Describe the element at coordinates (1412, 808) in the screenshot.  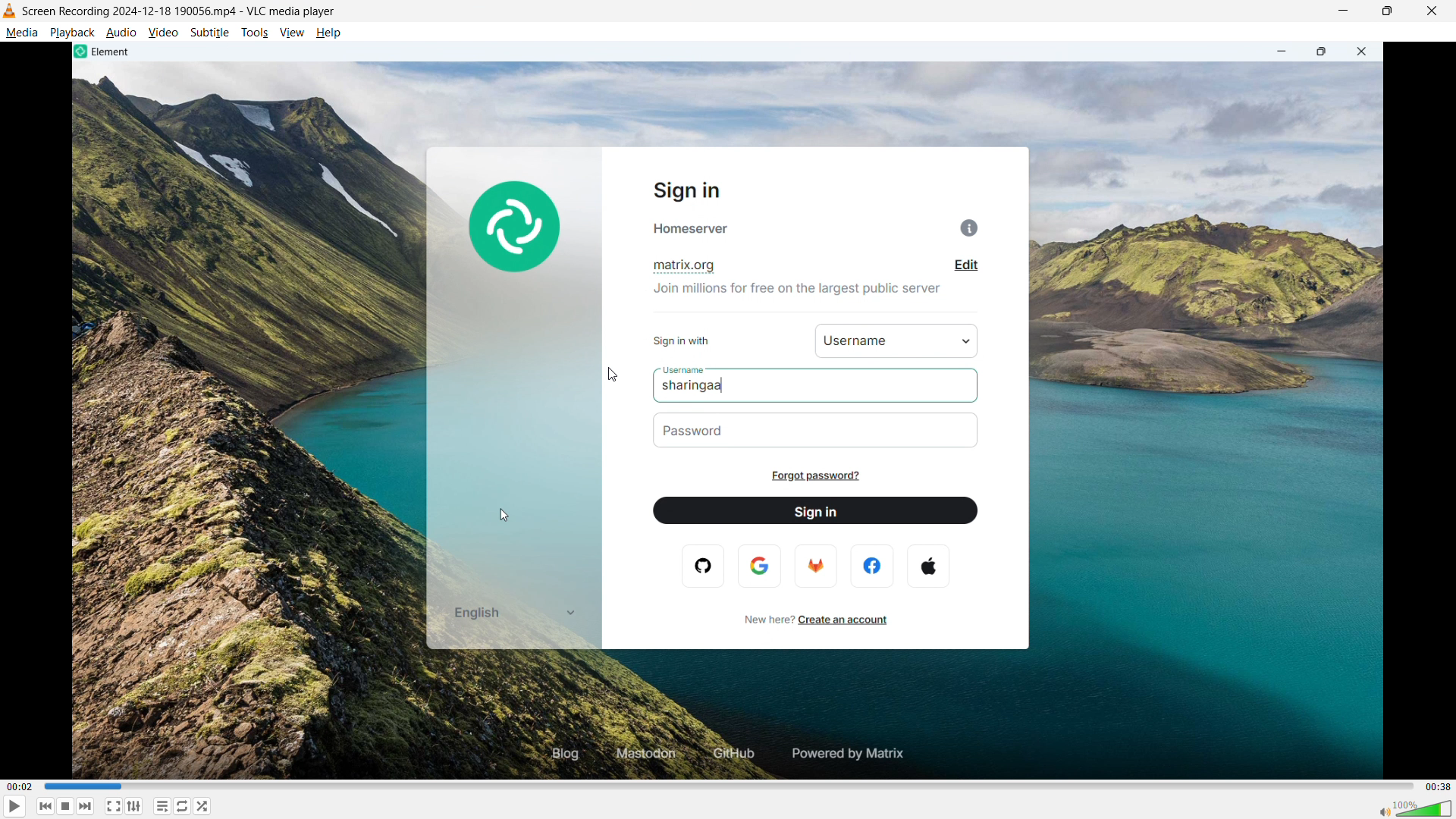
I see `volume bar` at that location.